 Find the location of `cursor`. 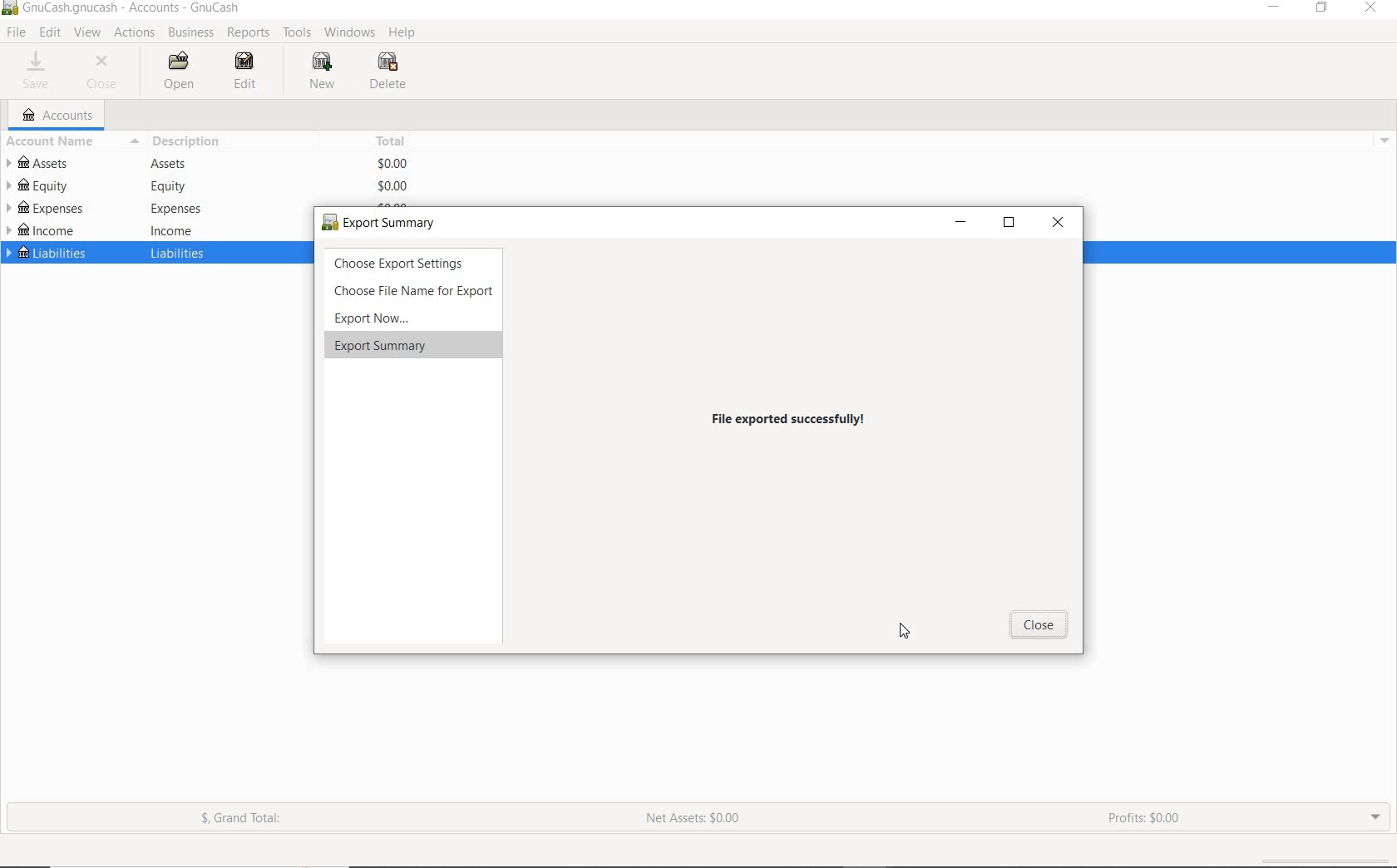

cursor is located at coordinates (906, 633).